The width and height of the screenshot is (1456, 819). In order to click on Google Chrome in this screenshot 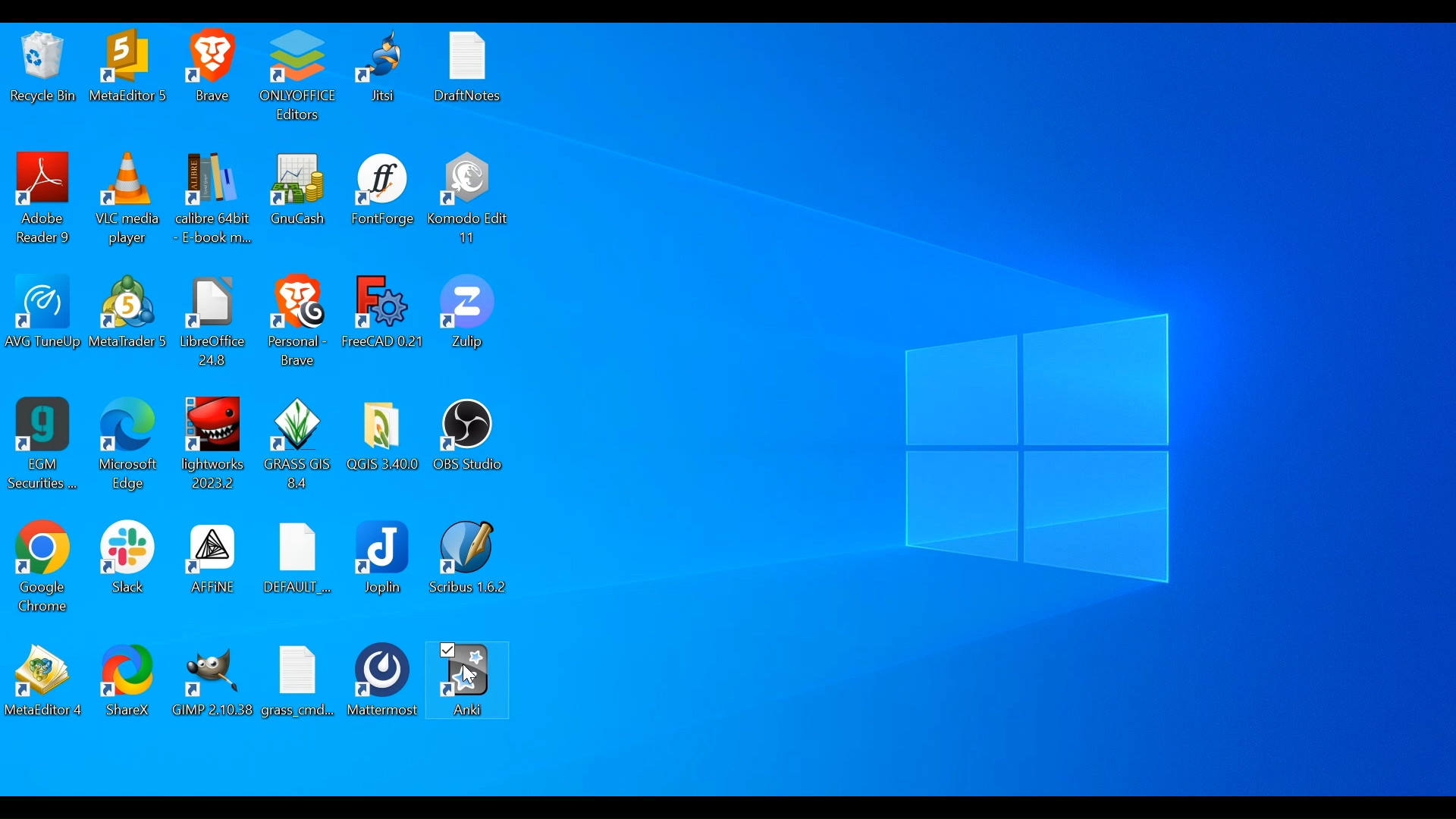, I will do `click(42, 566)`.